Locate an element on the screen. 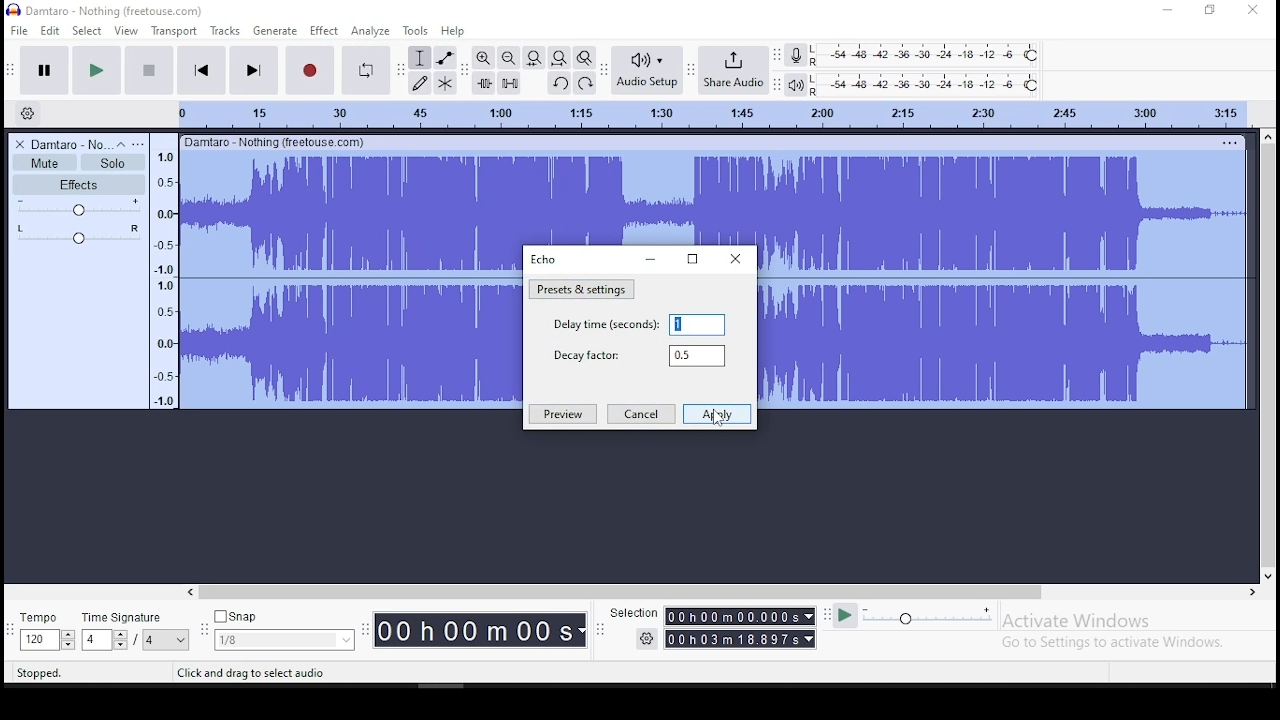 This screenshot has width=1280, height=720. up is located at coordinates (1268, 136).